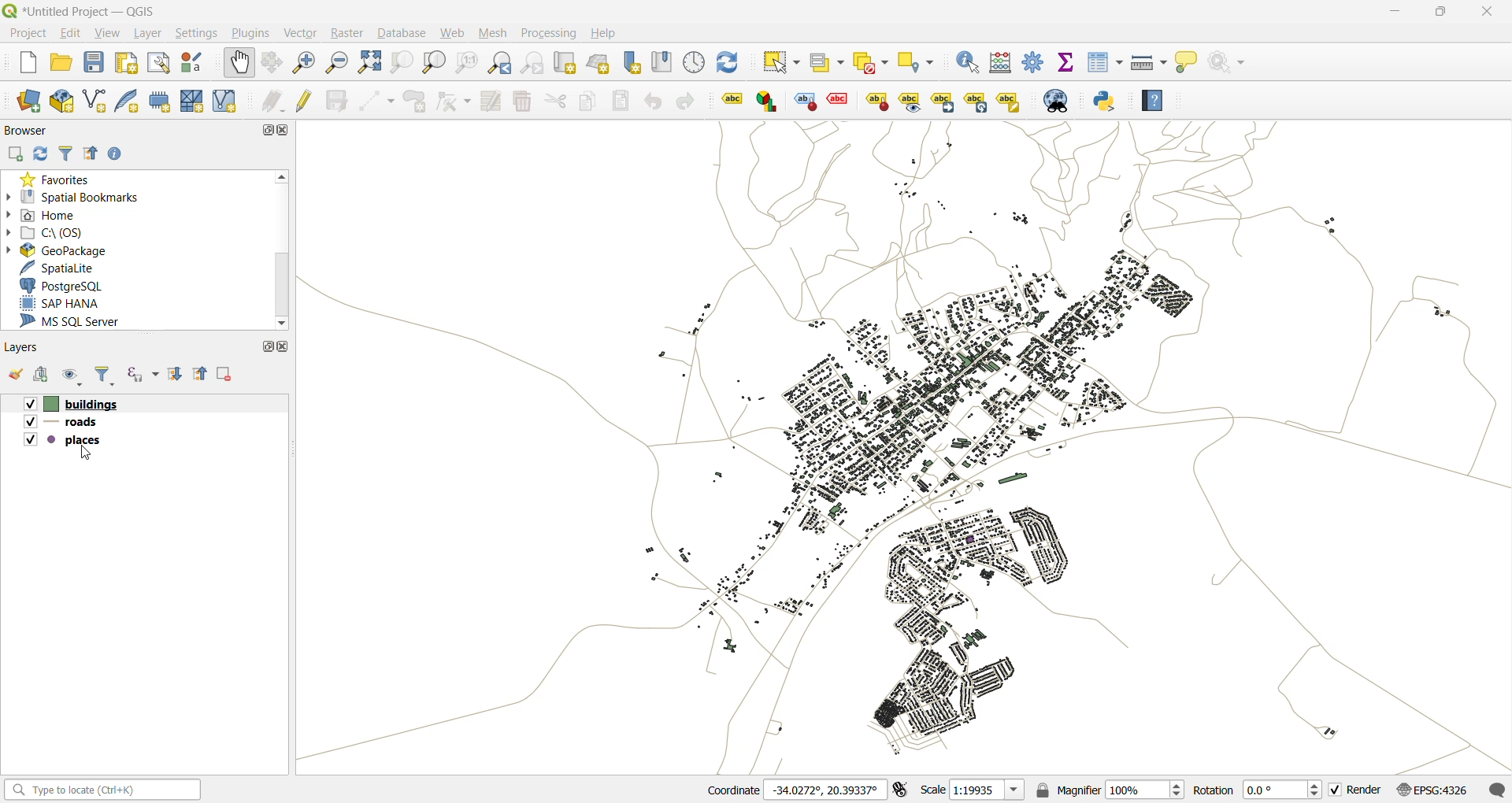 This screenshot has height=803, width=1512. I want to click on zoom in, so click(303, 61).